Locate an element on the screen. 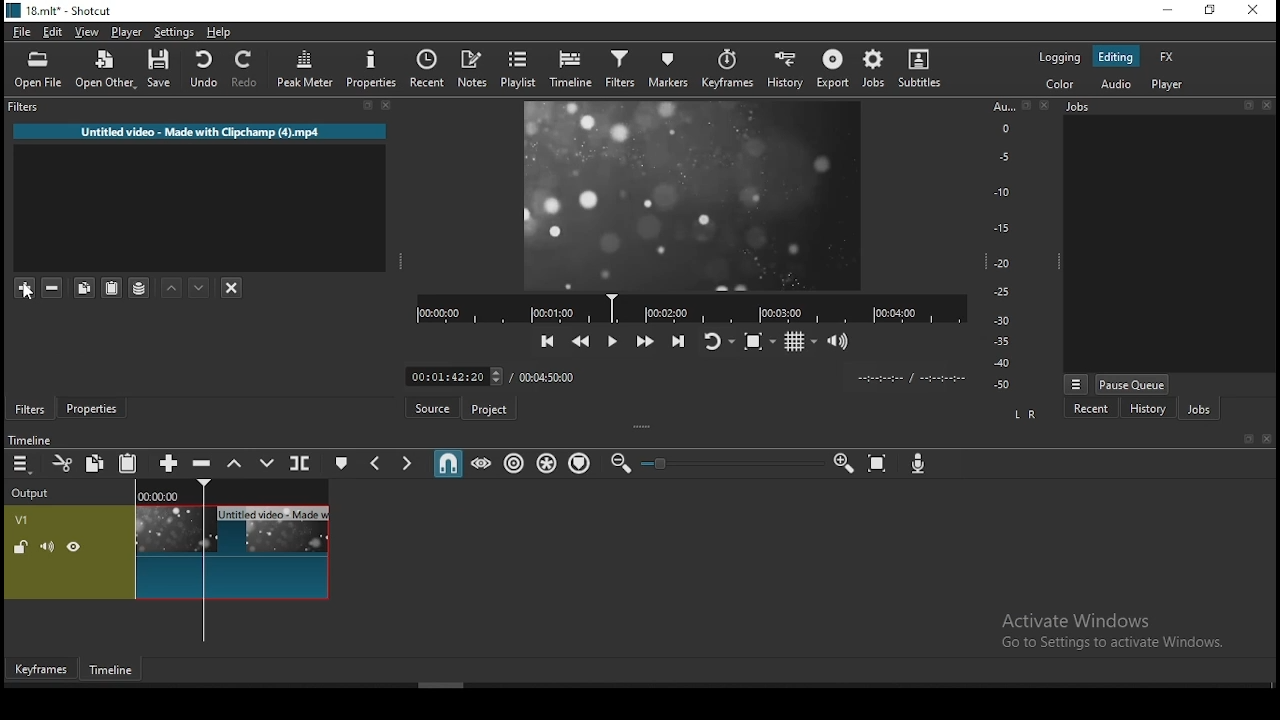  Close is located at coordinates (1266, 105).